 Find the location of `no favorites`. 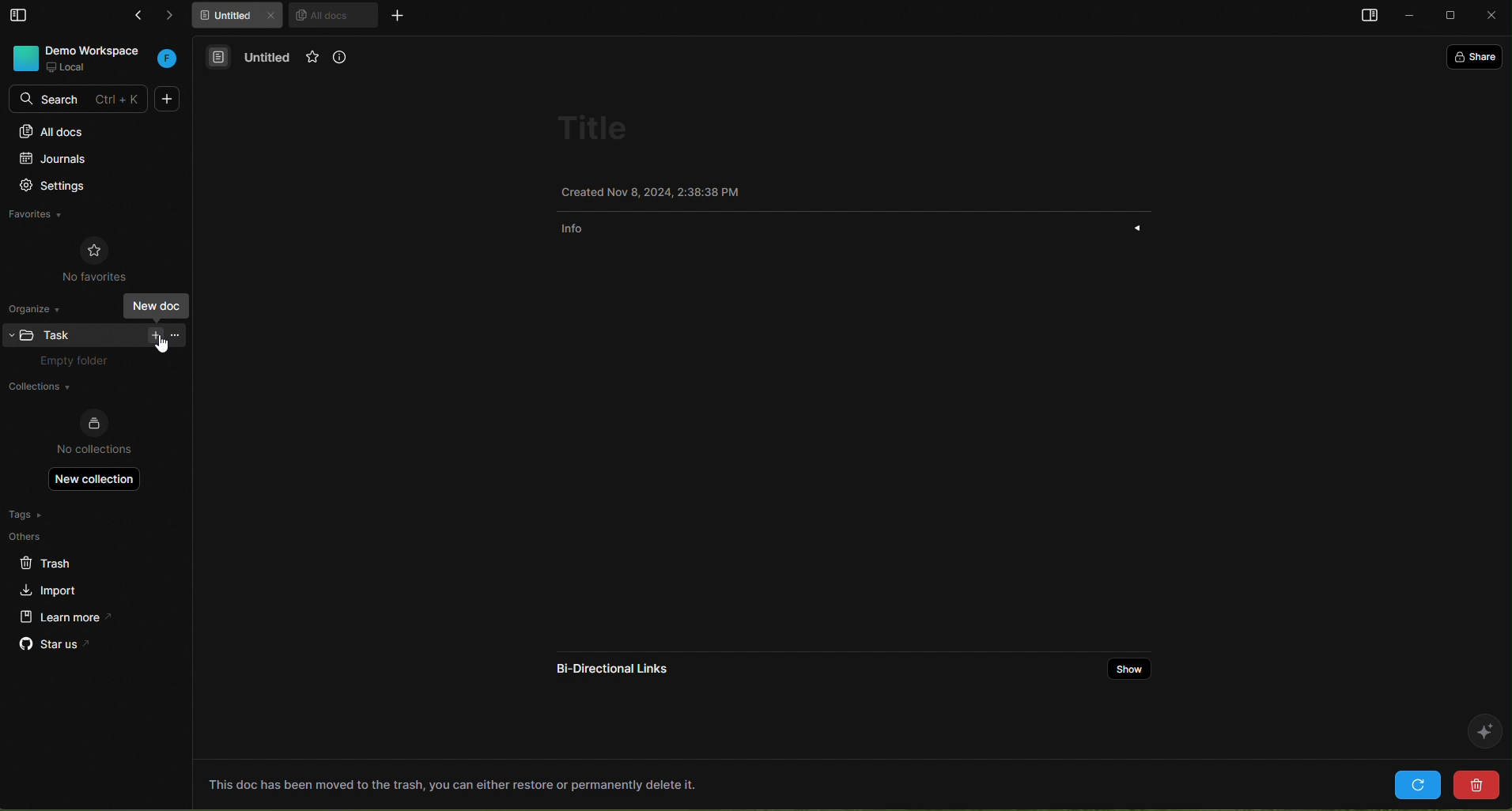

no favorites is located at coordinates (95, 258).